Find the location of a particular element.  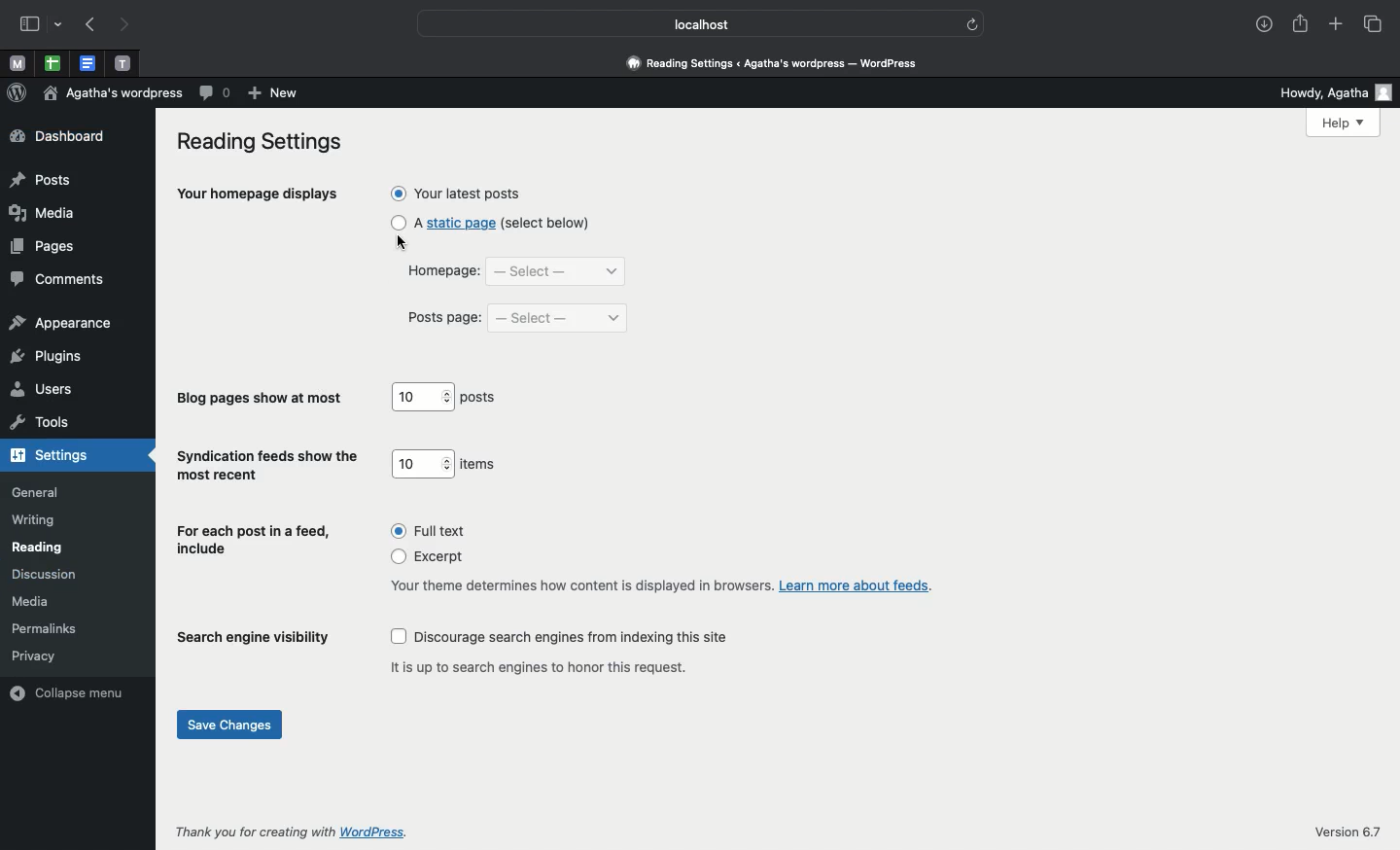

reading is located at coordinates (39, 548).